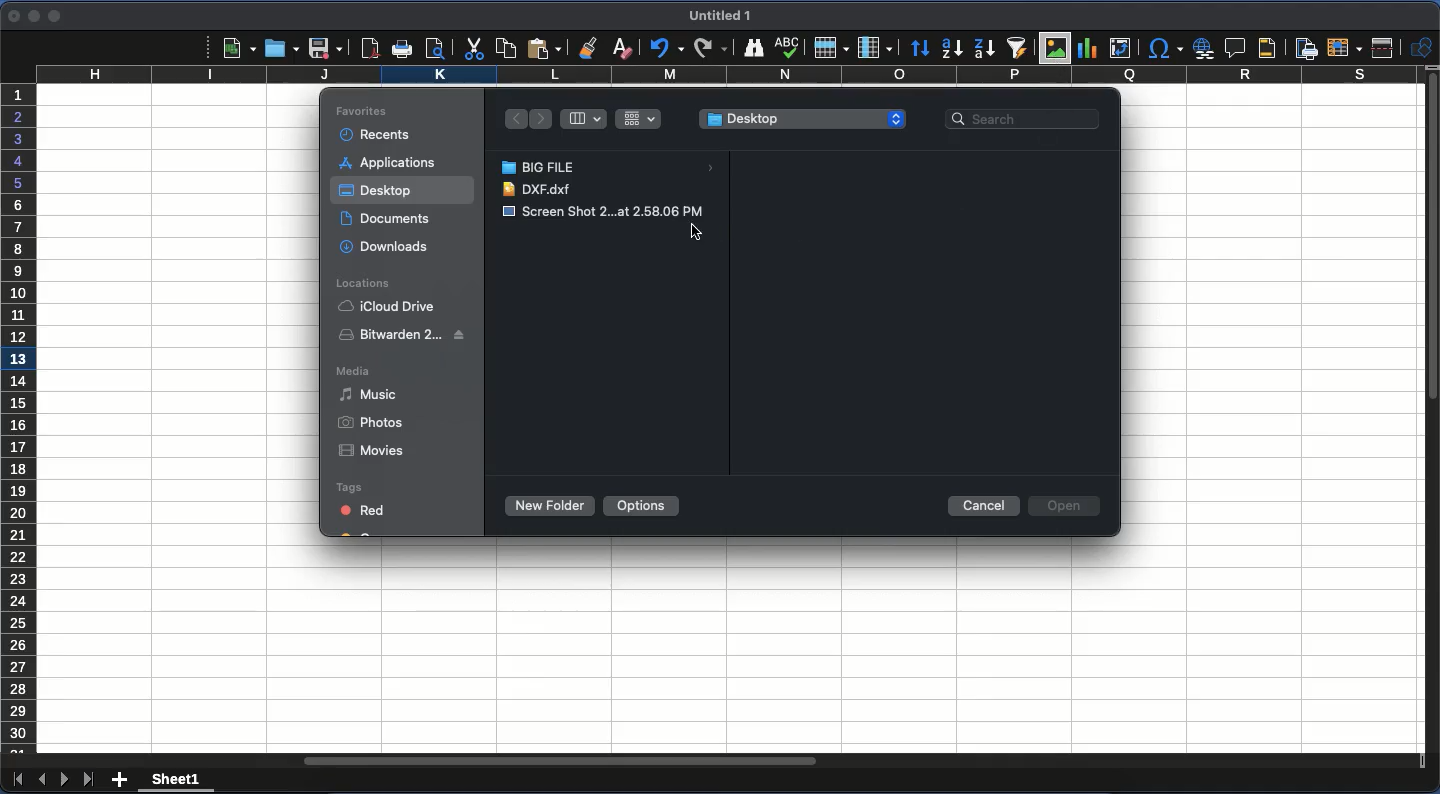  I want to click on iCloud Drive, so click(390, 307).